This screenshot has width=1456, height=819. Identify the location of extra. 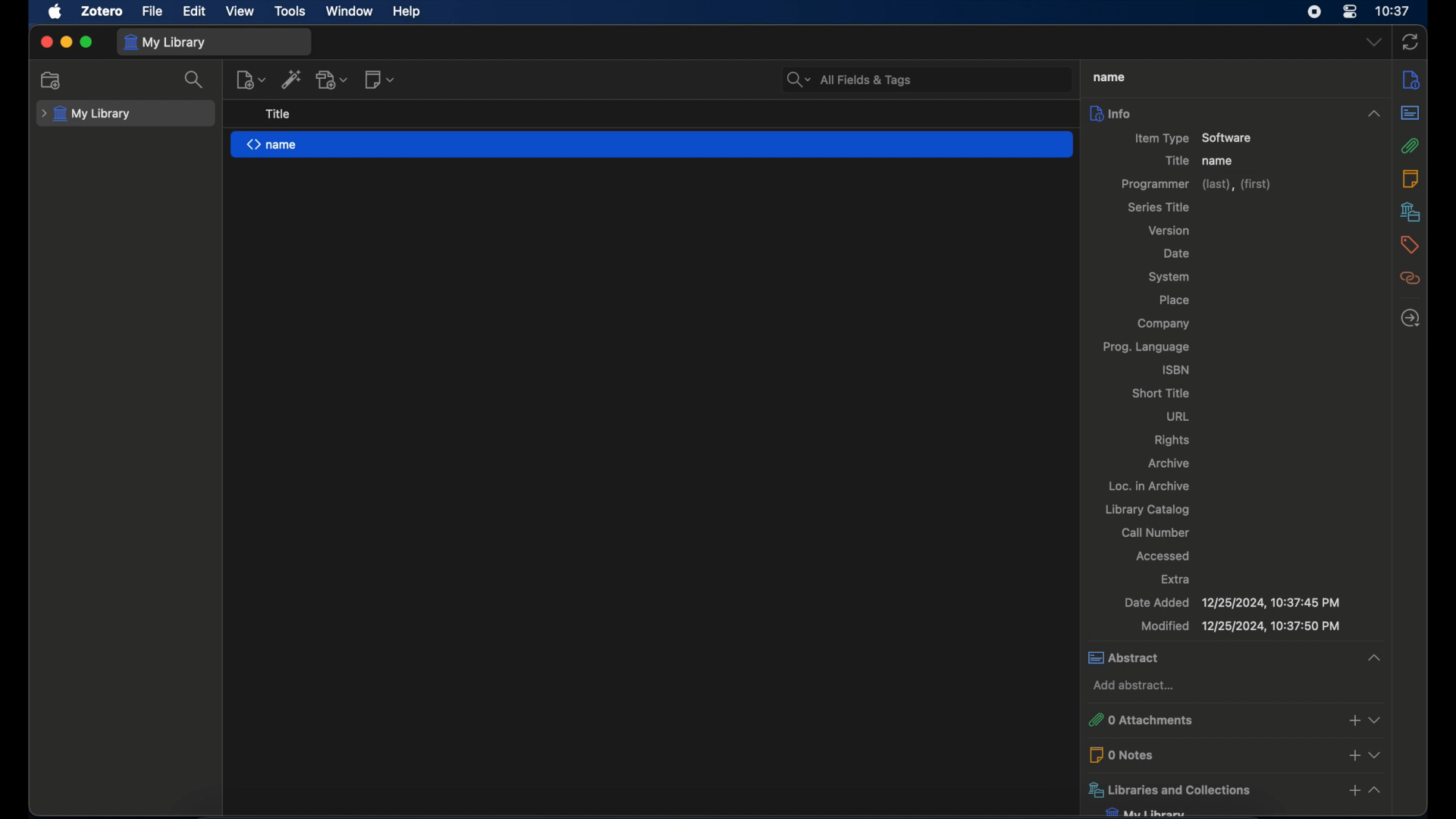
(1178, 579).